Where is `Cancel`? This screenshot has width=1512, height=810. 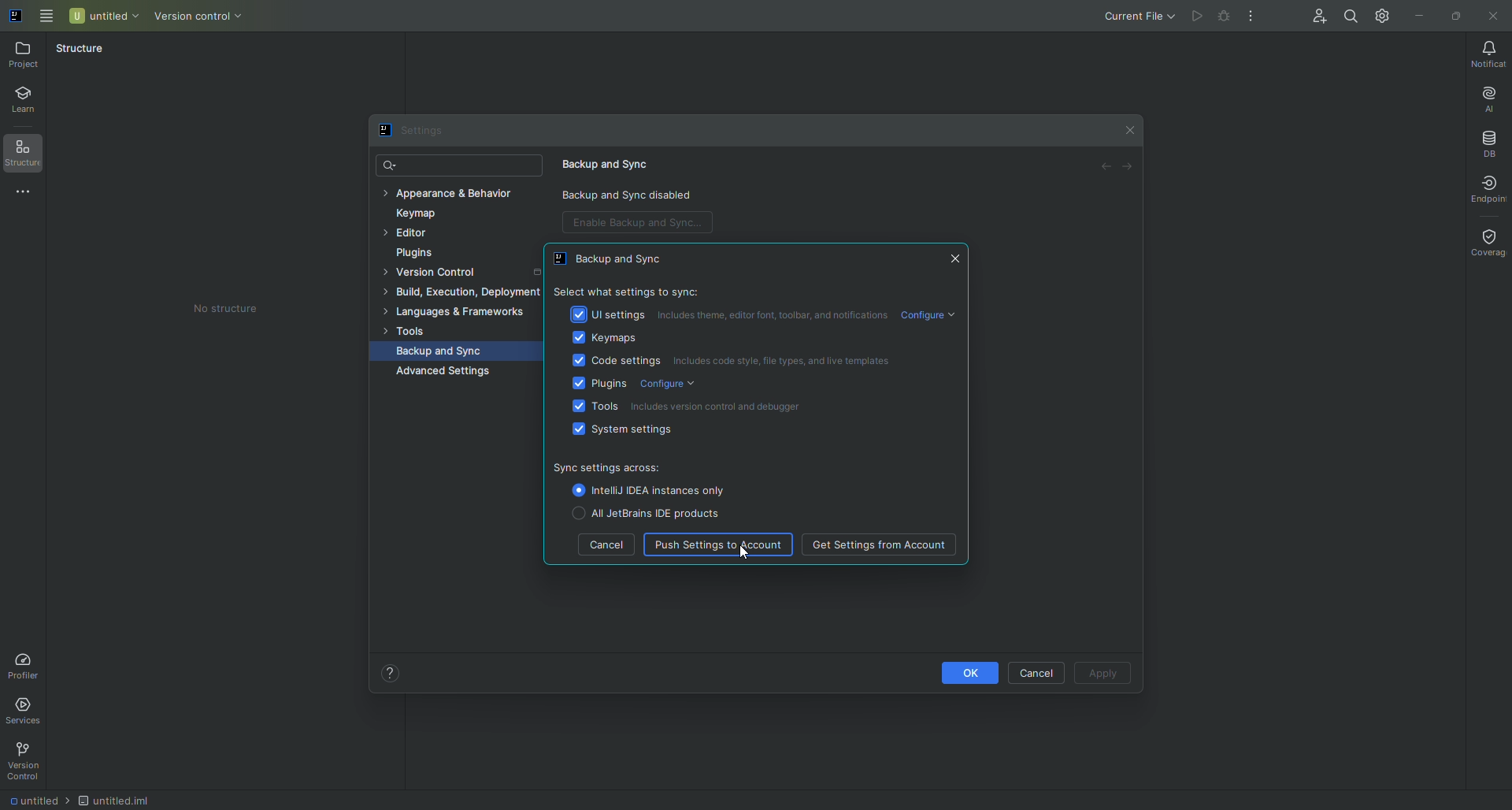
Cancel is located at coordinates (1034, 671).